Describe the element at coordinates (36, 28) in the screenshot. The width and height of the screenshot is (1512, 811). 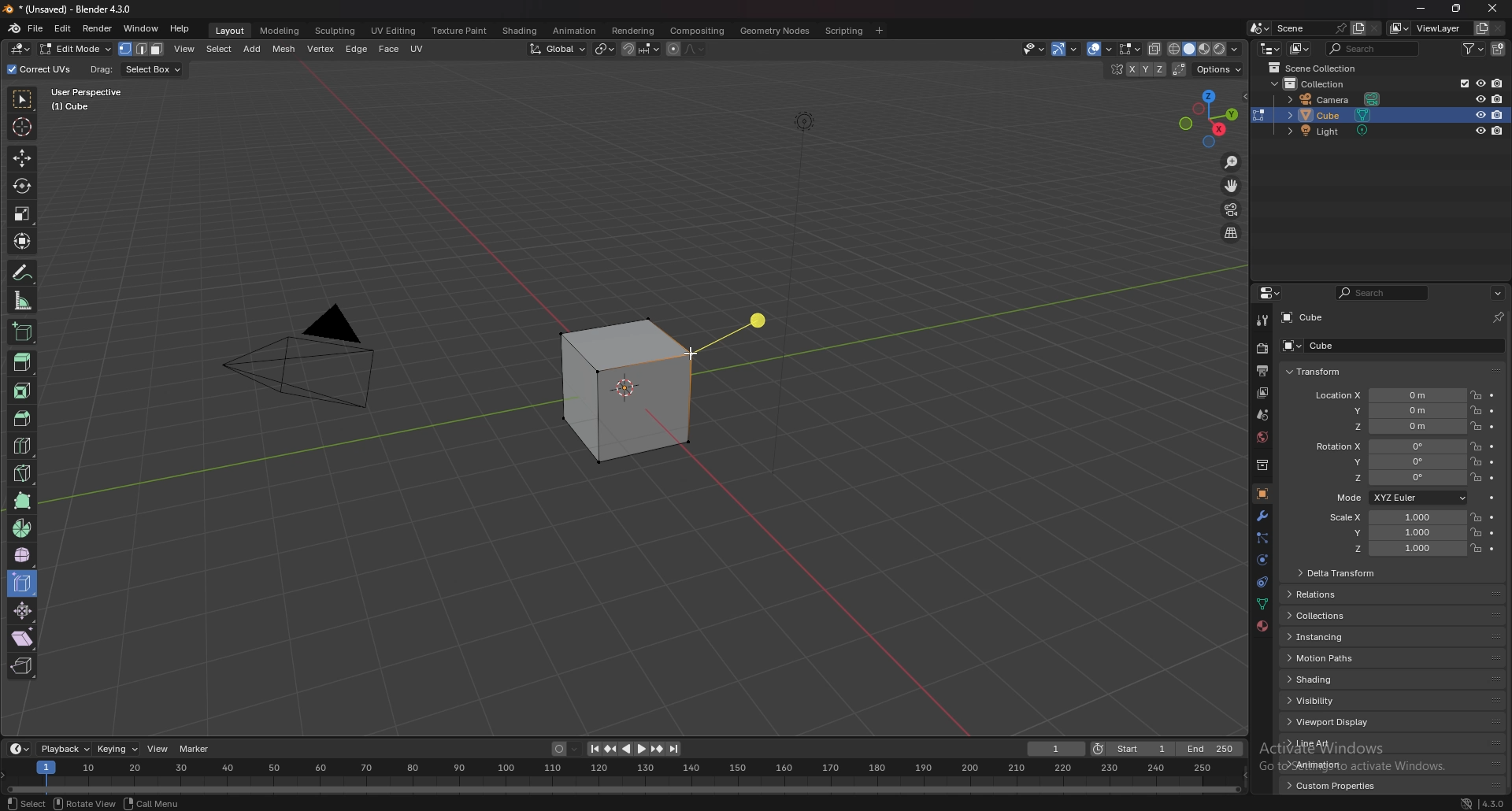
I see `file` at that location.